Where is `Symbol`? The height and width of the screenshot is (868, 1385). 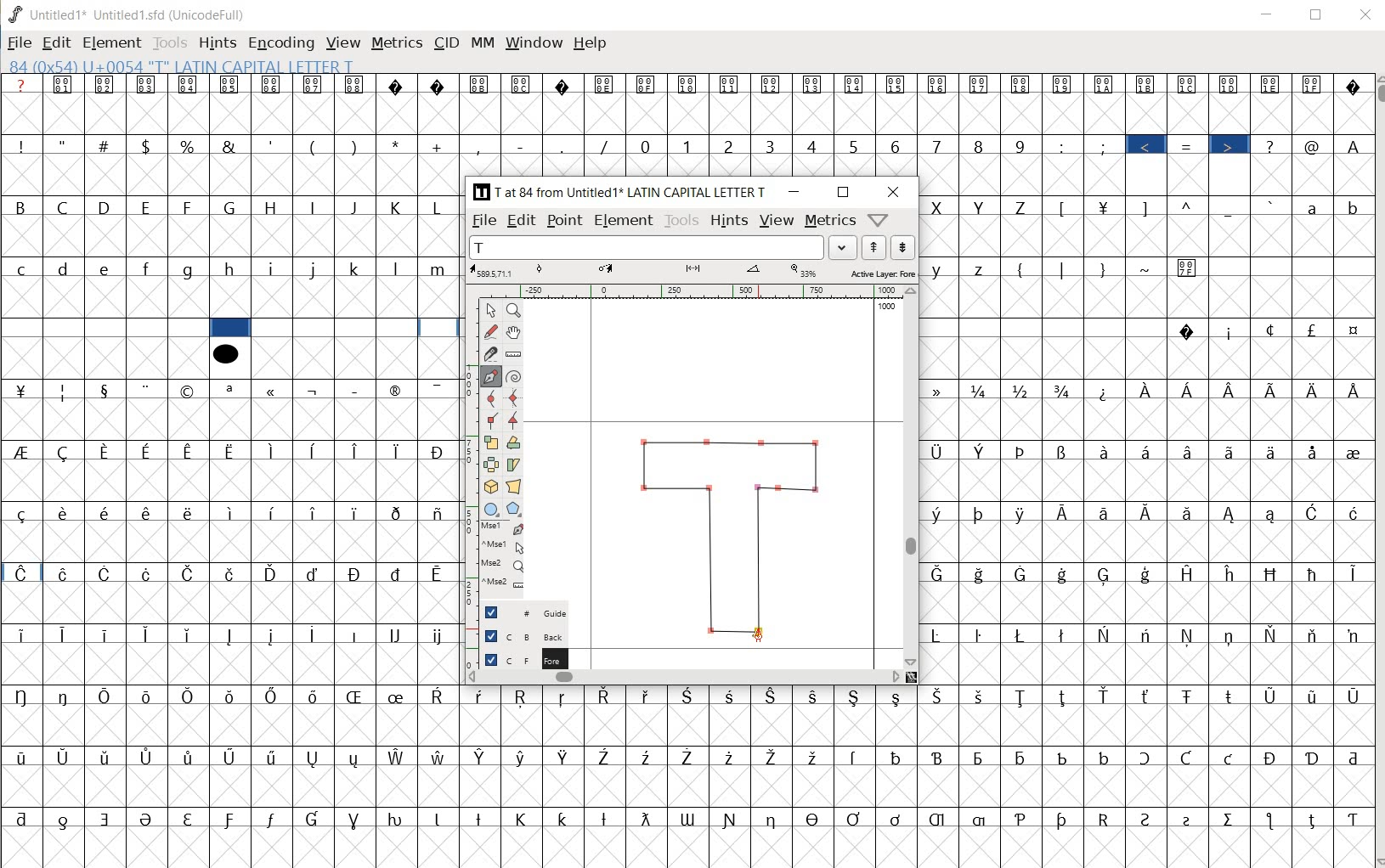 Symbol is located at coordinates (689, 819).